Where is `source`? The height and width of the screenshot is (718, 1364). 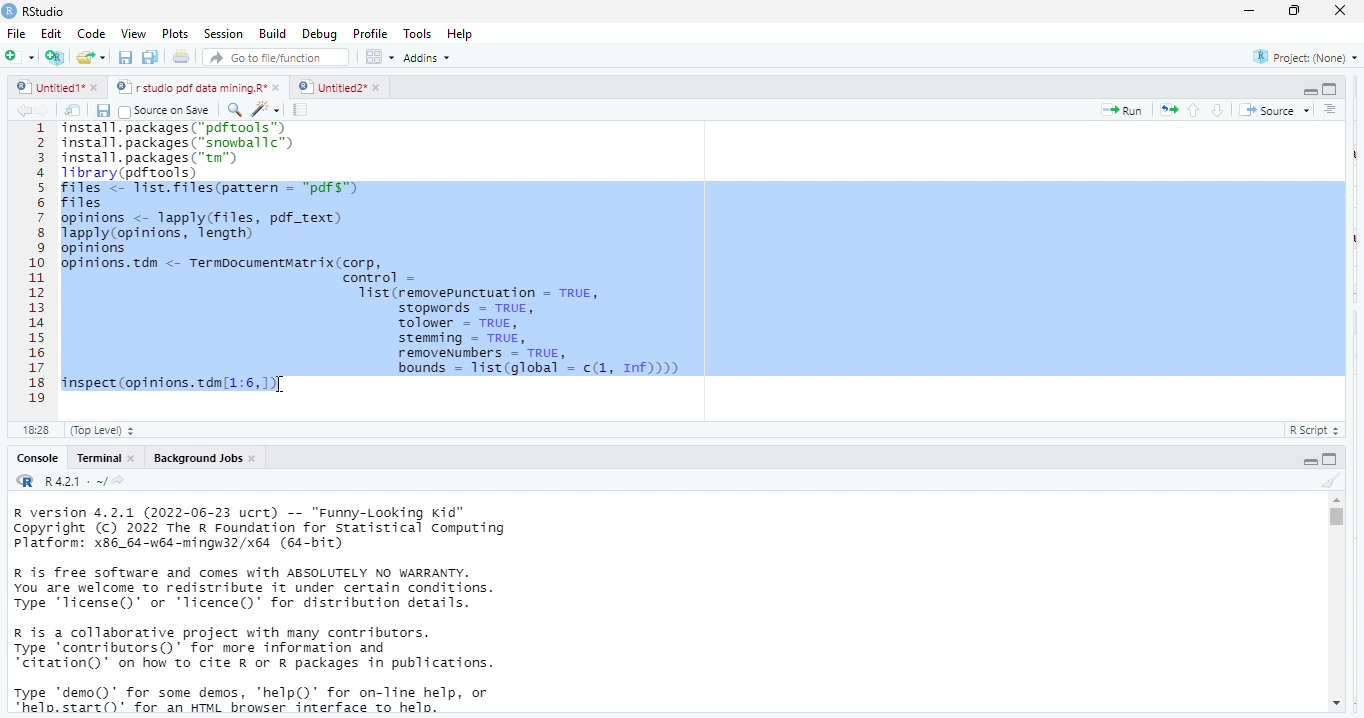
source is located at coordinates (1272, 110).